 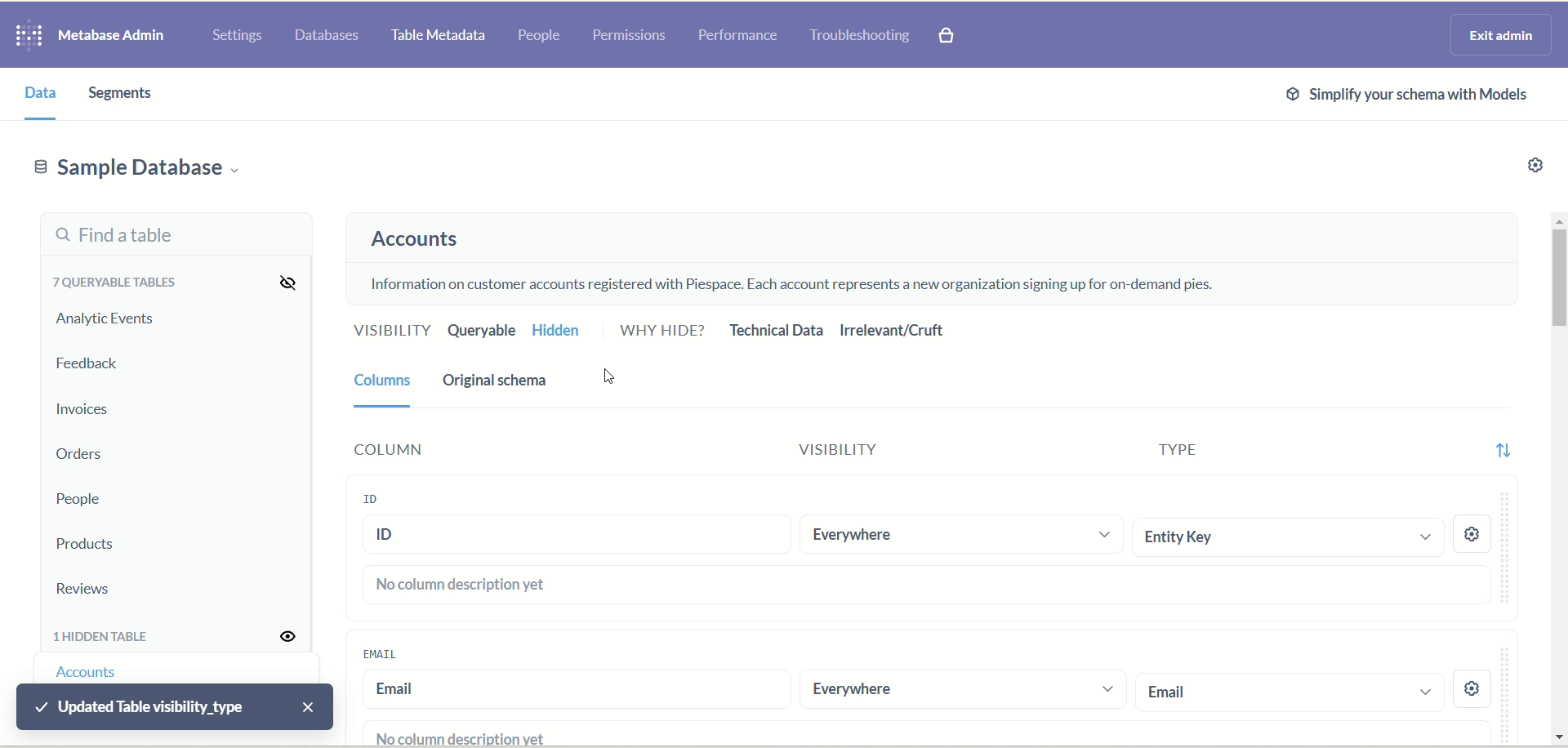 What do you see at coordinates (1471, 532) in the screenshot?
I see `ID settings` at bounding box center [1471, 532].